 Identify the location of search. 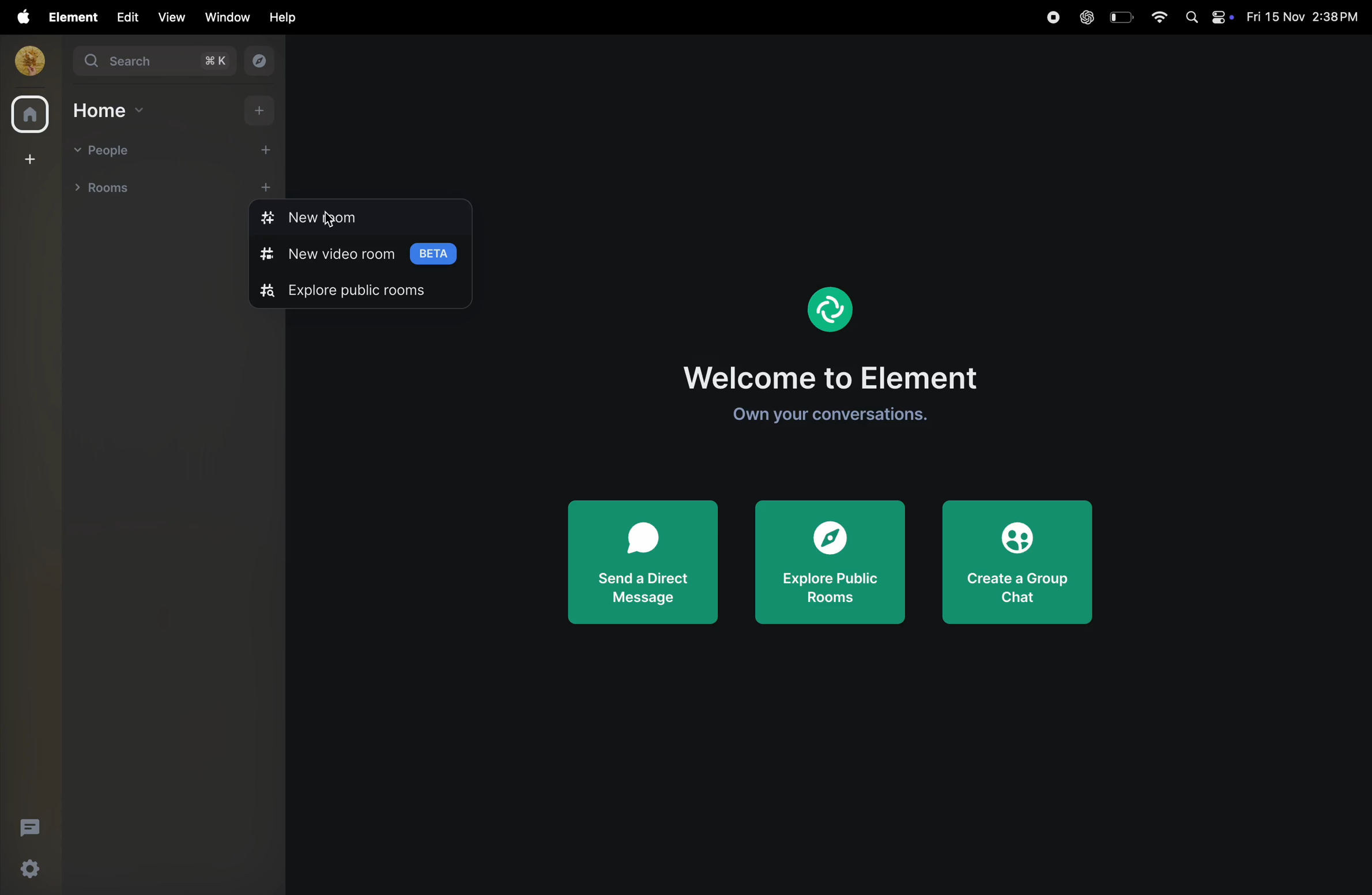
(153, 61).